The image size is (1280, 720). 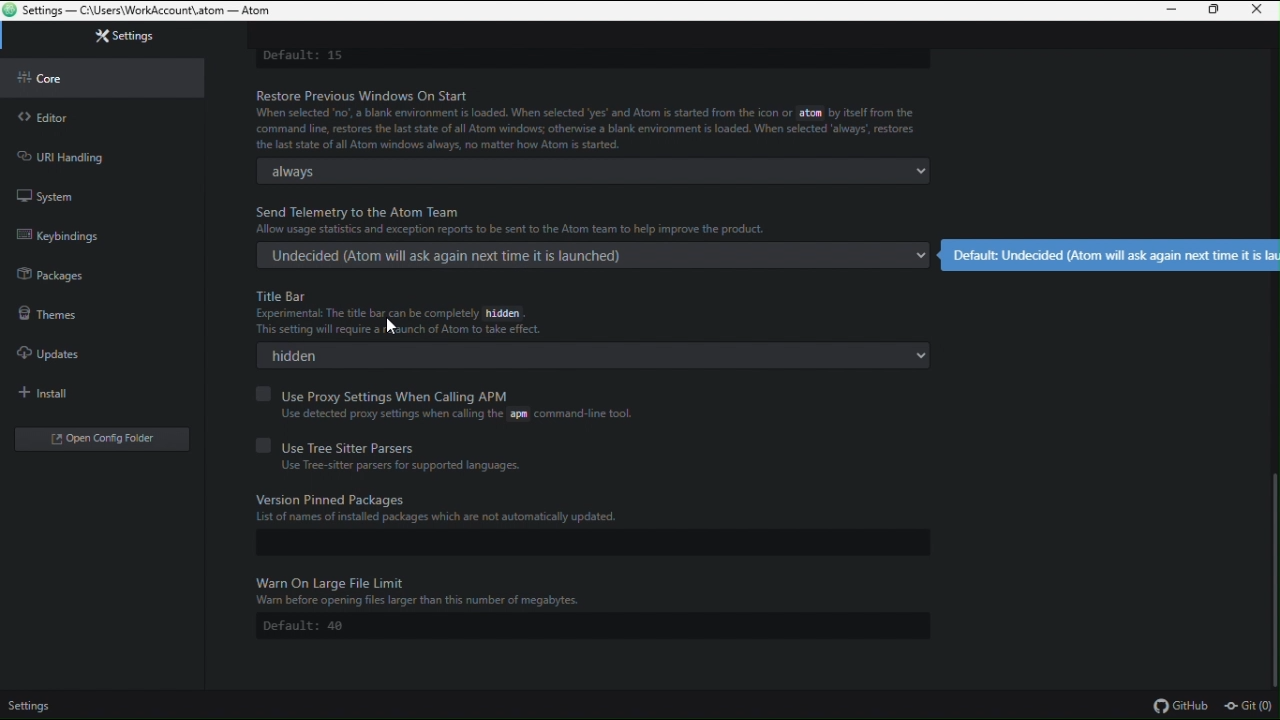 I want to click on settings, so click(x=104, y=41).